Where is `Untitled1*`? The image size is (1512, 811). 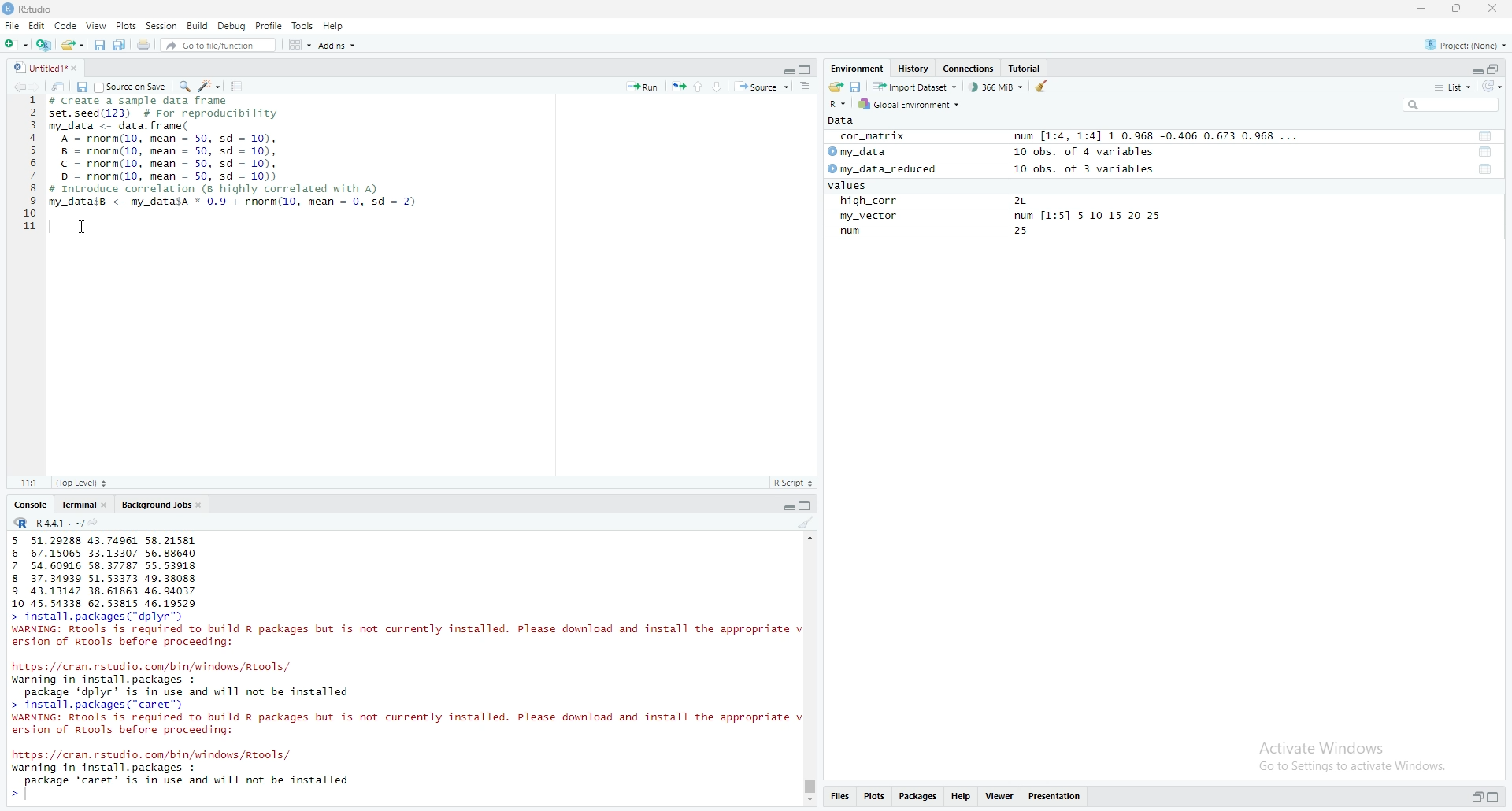 Untitled1* is located at coordinates (39, 68).